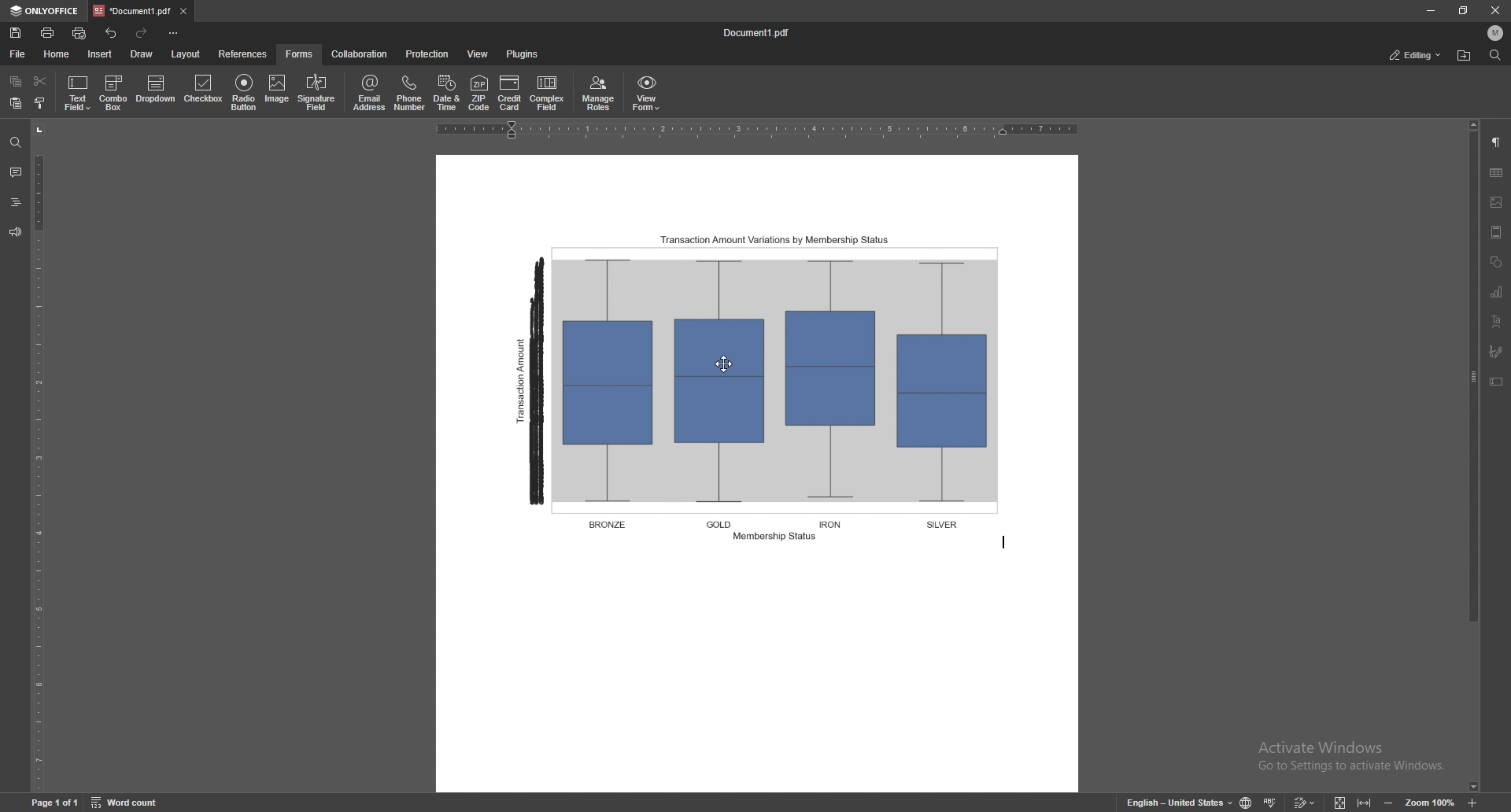 This screenshot has width=1511, height=812. What do you see at coordinates (1498, 202) in the screenshot?
I see `image` at bounding box center [1498, 202].